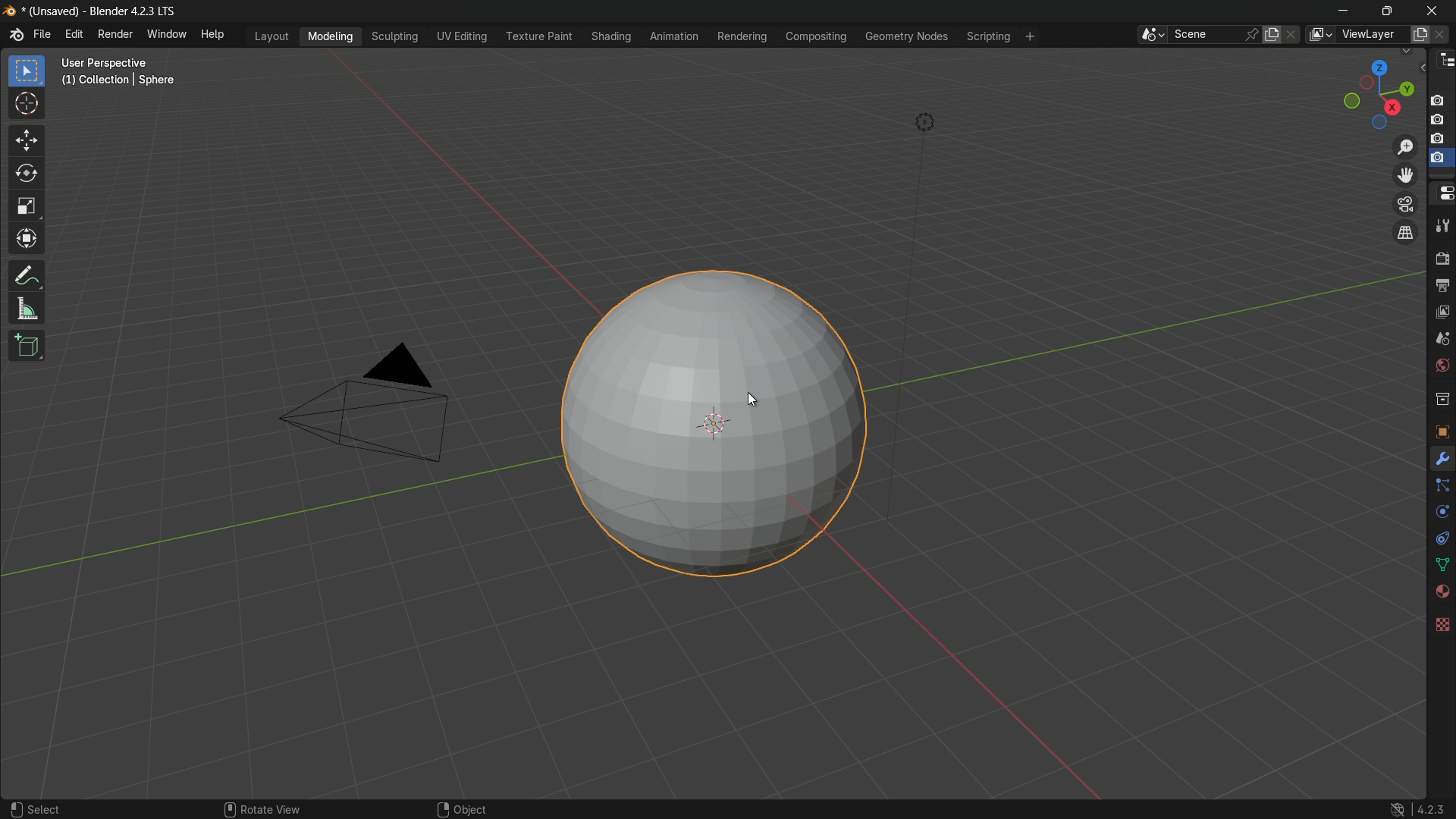  Describe the element at coordinates (1404, 148) in the screenshot. I see `zoom in/out` at that location.